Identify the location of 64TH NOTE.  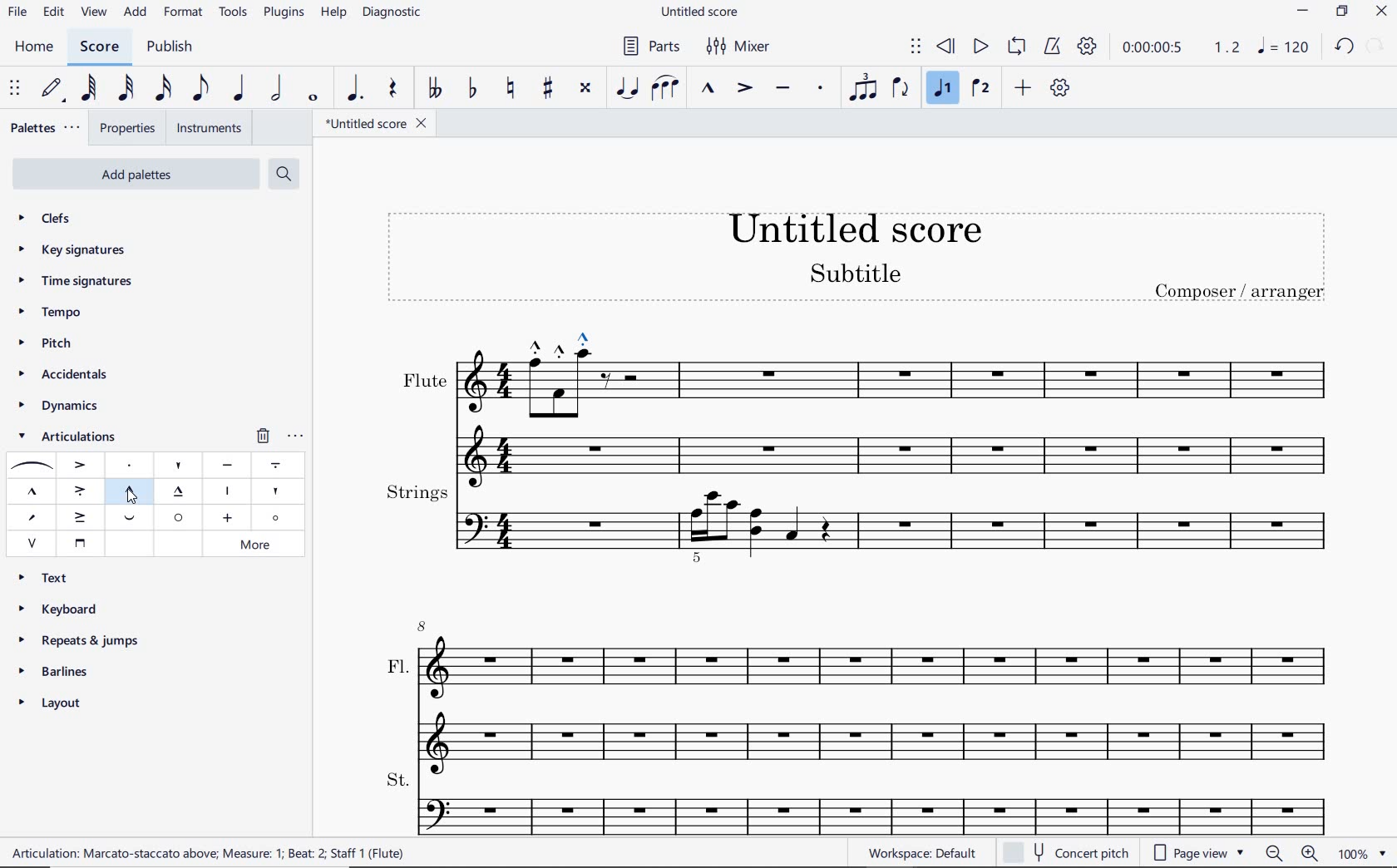
(89, 88).